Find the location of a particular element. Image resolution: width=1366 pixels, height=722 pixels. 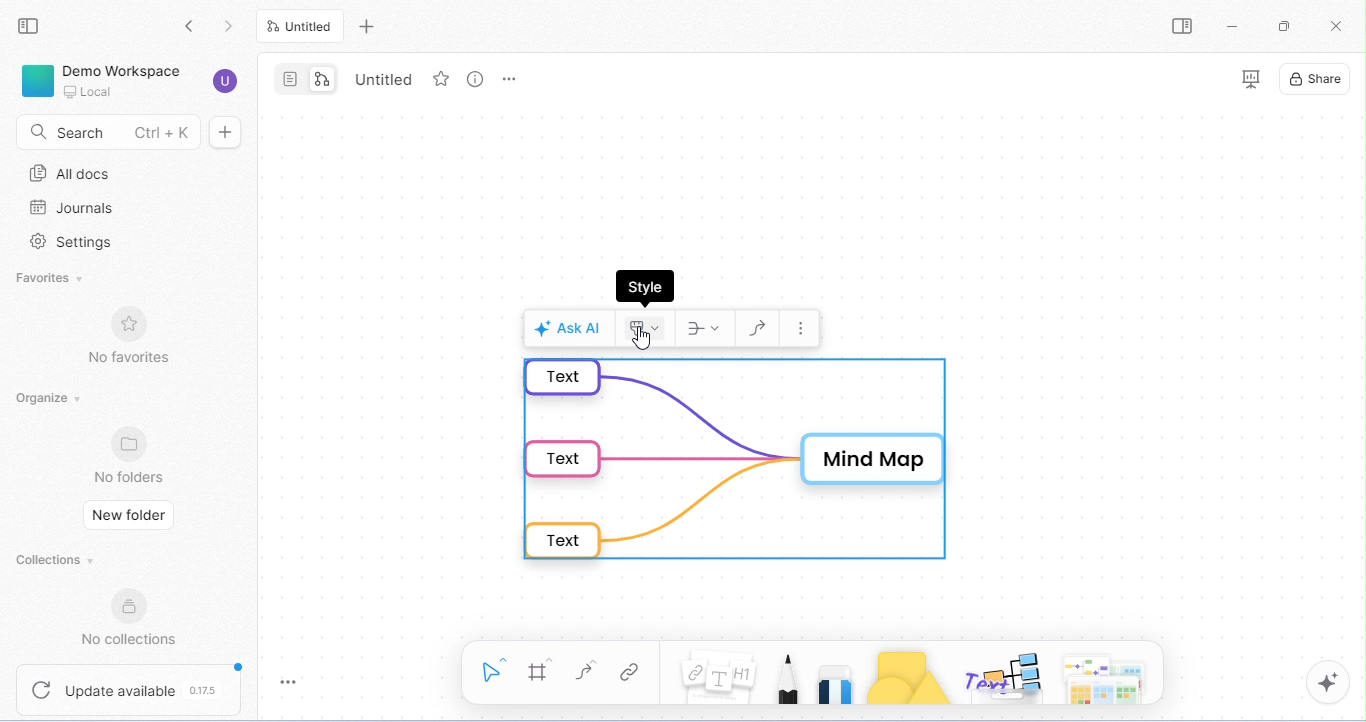

no favorites is located at coordinates (132, 336).